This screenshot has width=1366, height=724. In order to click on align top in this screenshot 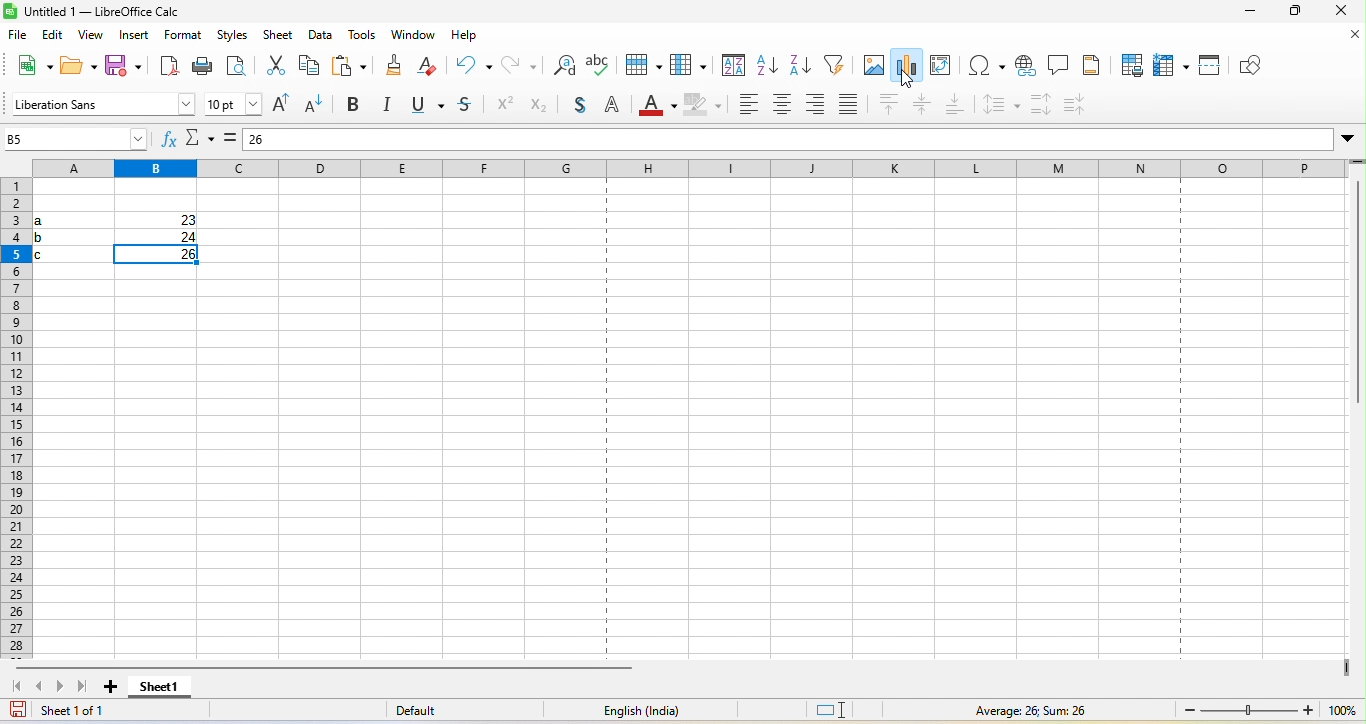, I will do `click(891, 105)`.